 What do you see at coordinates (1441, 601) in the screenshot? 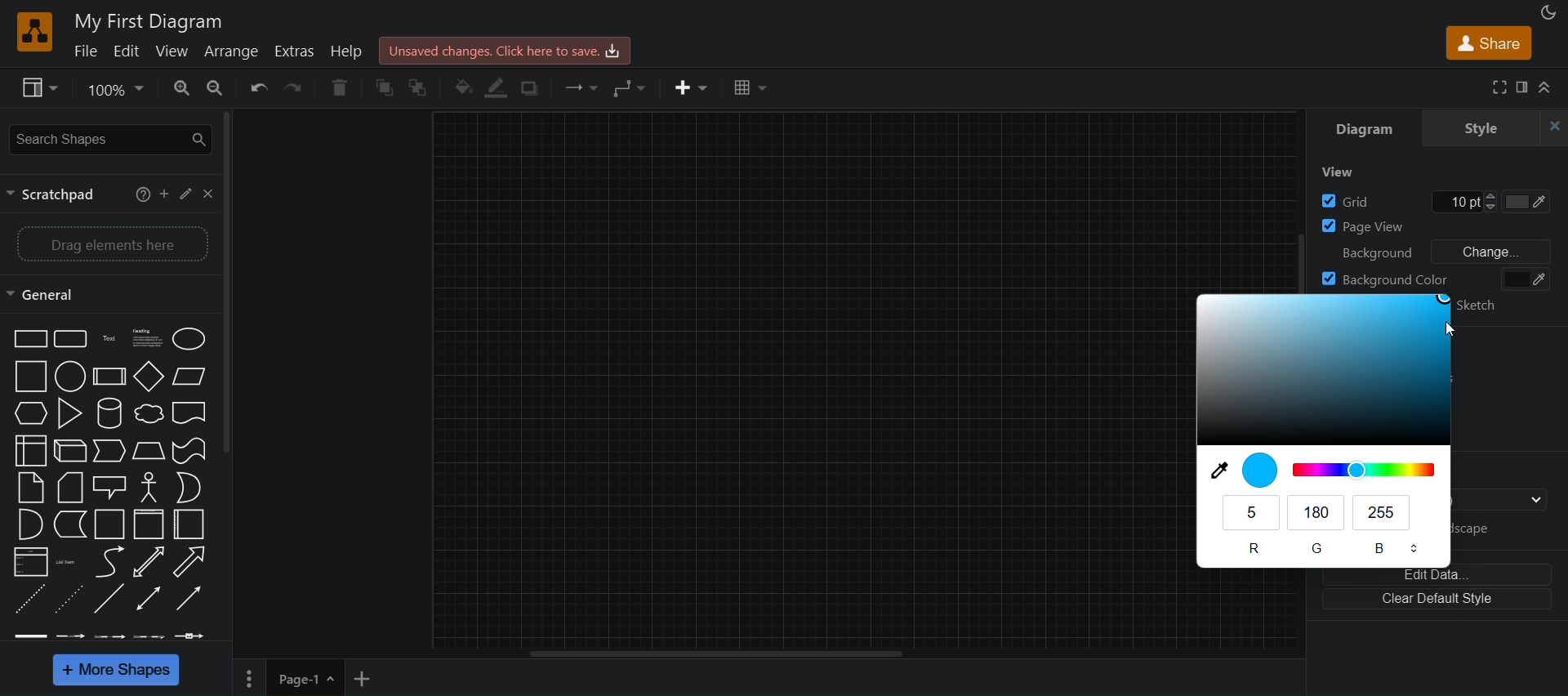
I see `clear default style` at bounding box center [1441, 601].